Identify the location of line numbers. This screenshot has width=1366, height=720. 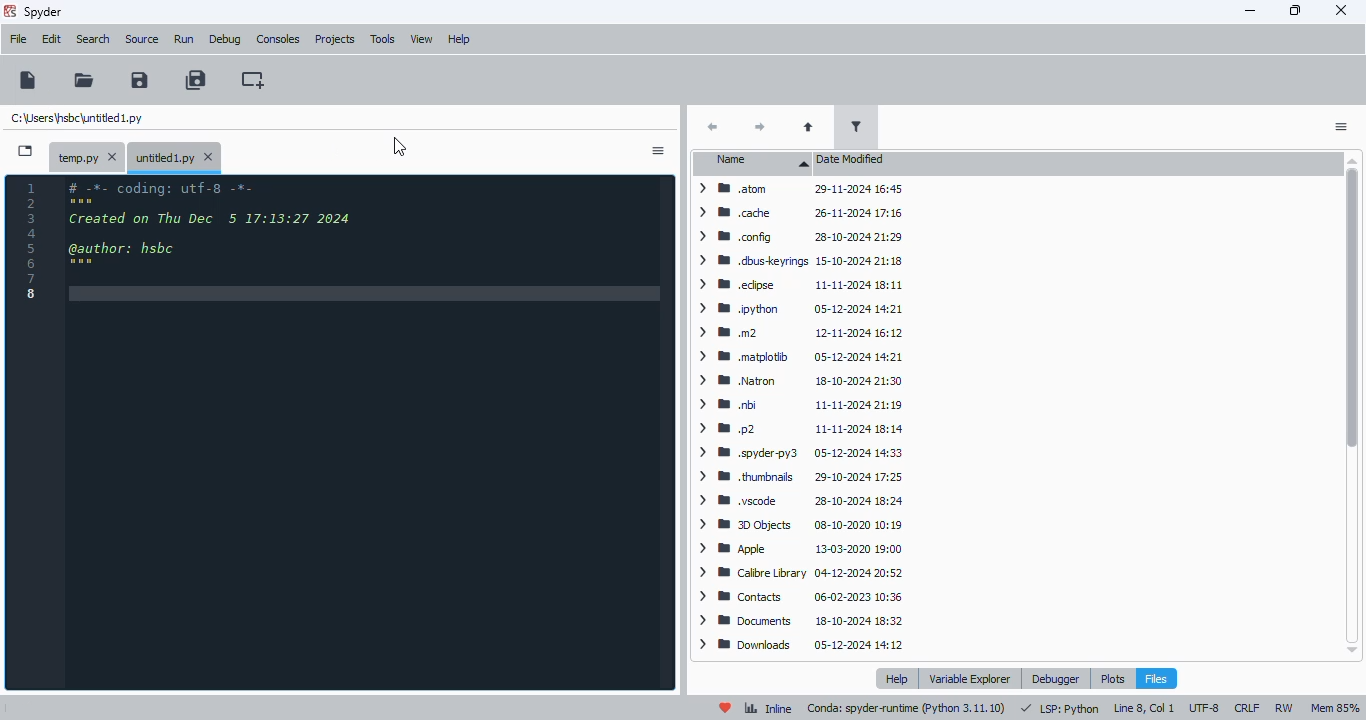
(31, 242).